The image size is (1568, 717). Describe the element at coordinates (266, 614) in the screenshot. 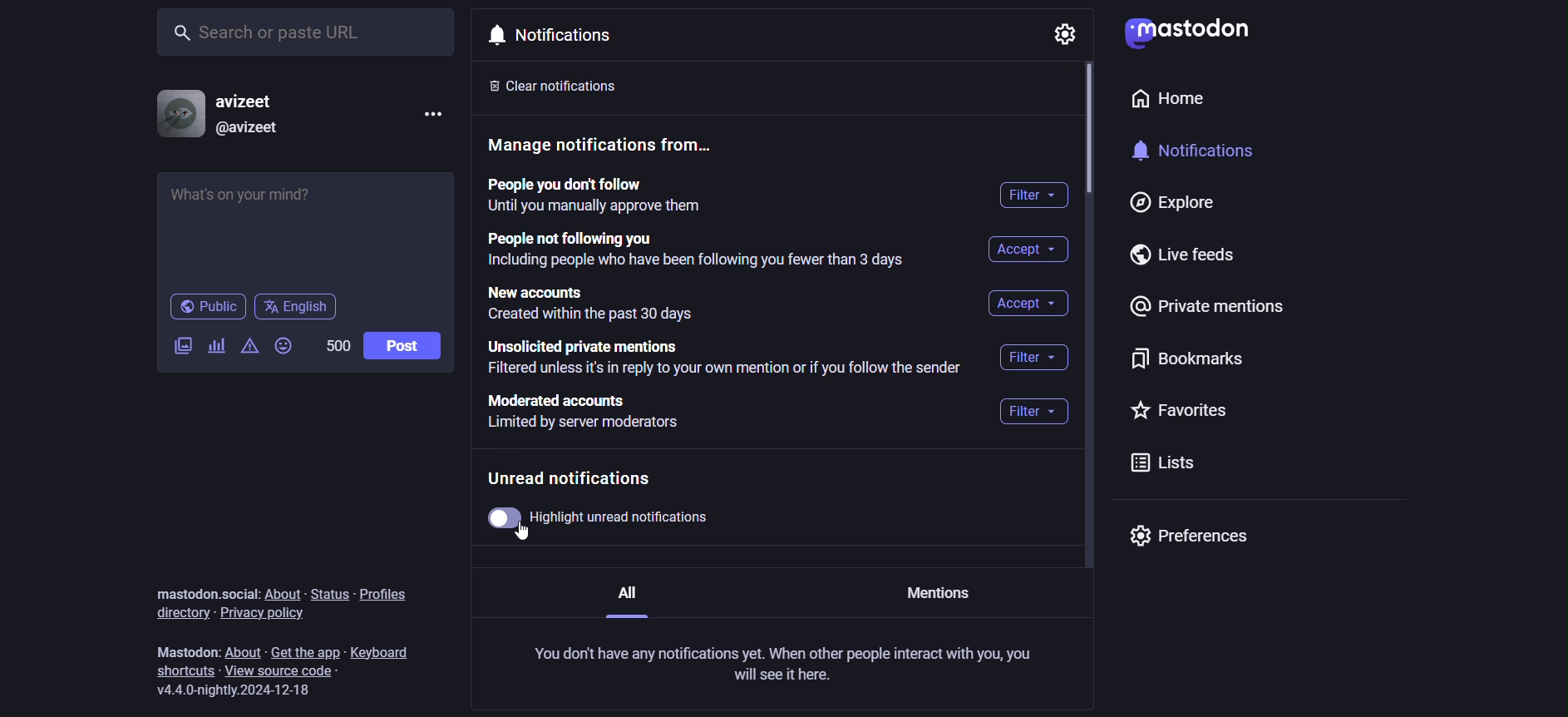

I see `privacy policy` at that location.